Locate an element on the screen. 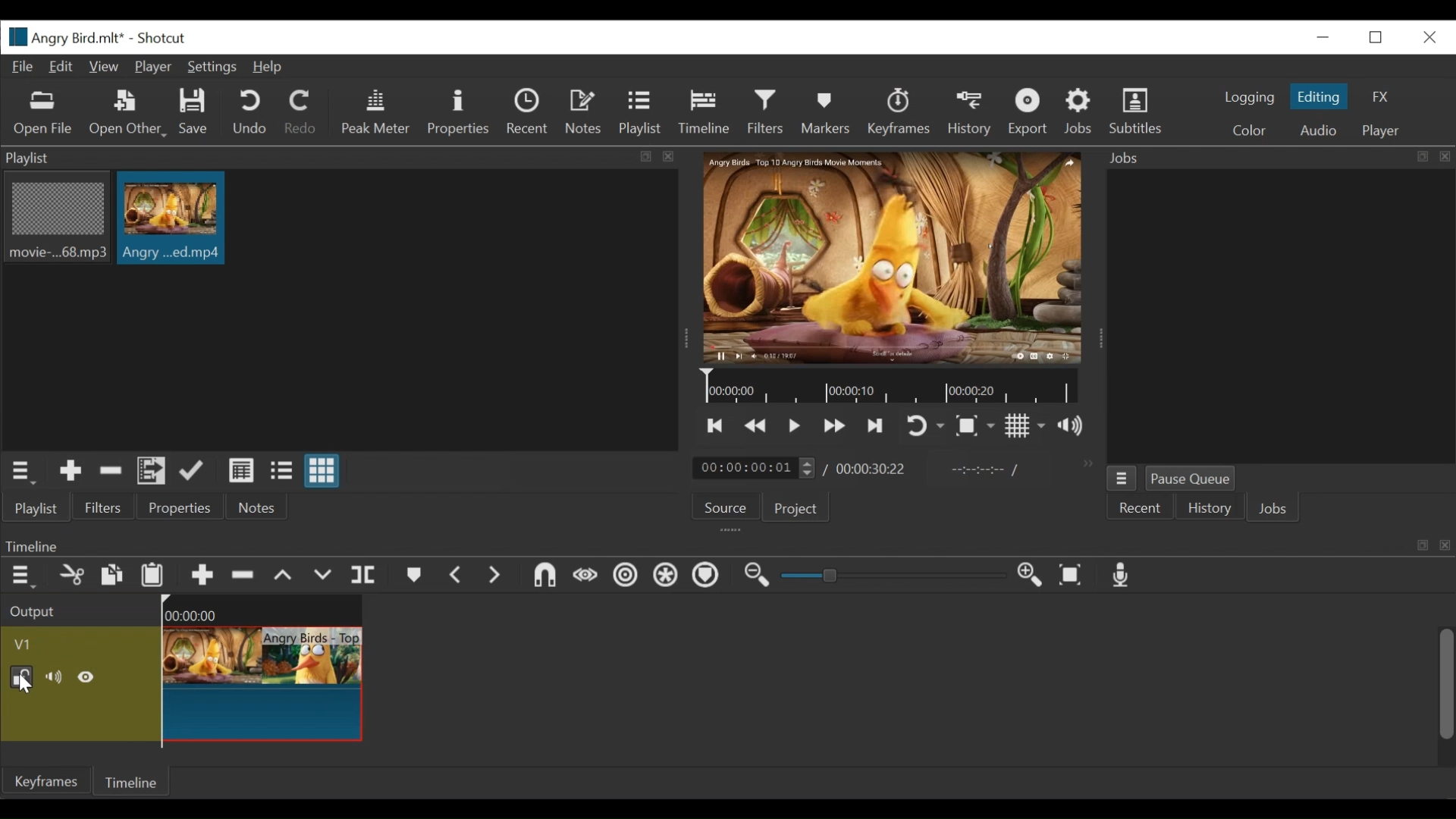 The width and height of the screenshot is (1456, 819). Paste is located at coordinates (152, 576).